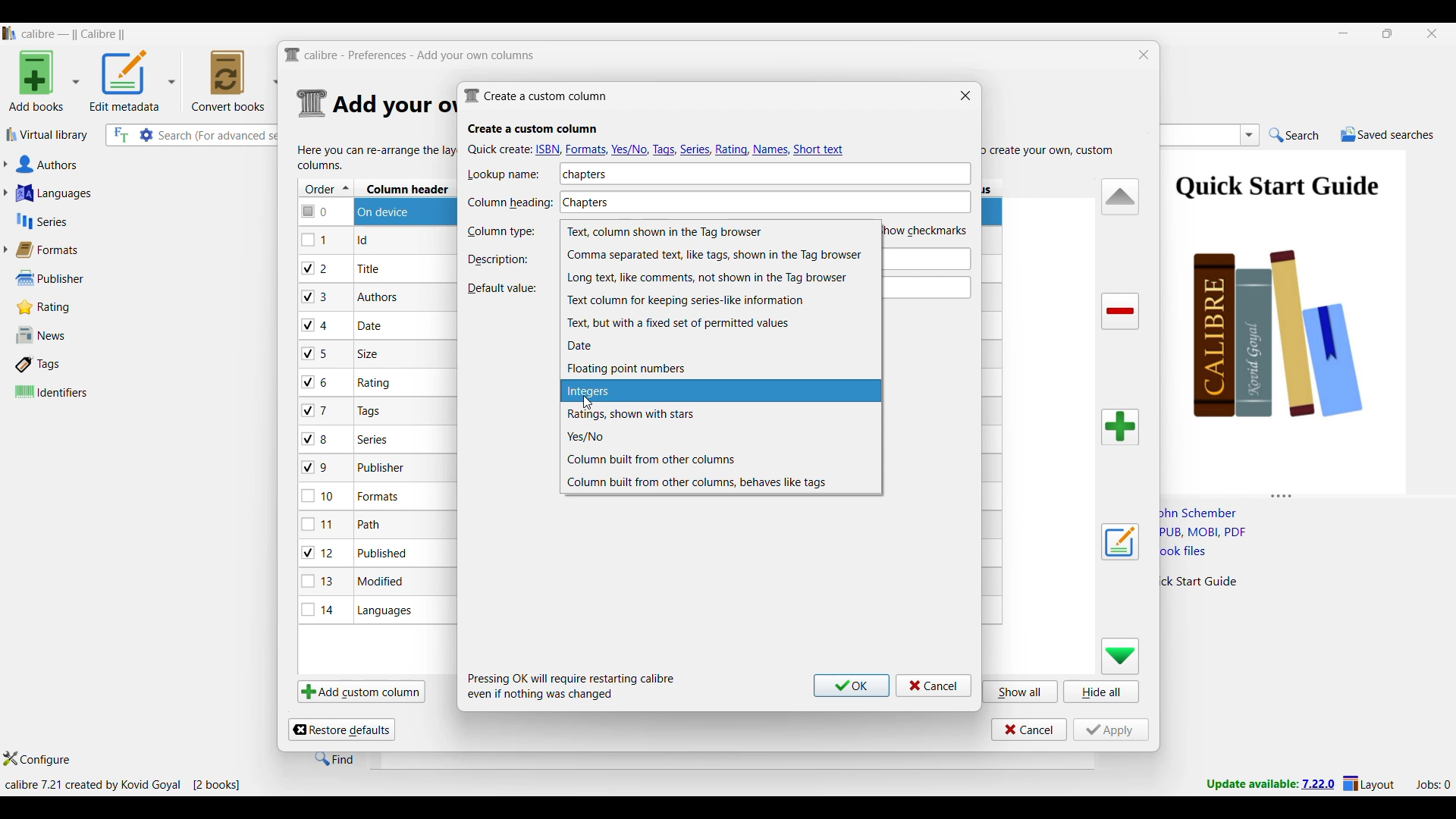 This screenshot has height=819, width=1456. I want to click on Tags, so click(71, 364).